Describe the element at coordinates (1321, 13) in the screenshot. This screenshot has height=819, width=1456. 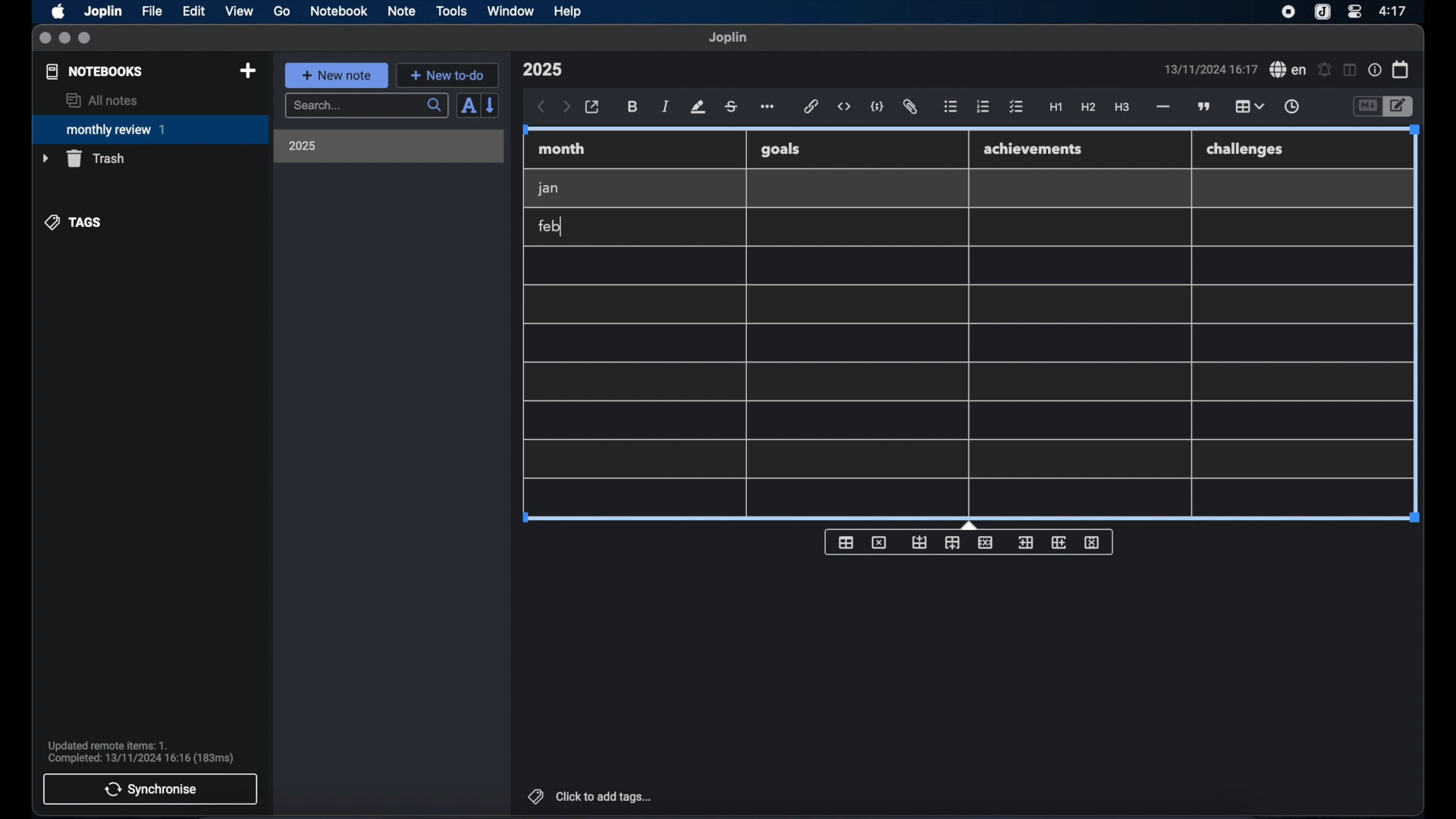
I see `joplin icon` at that location.